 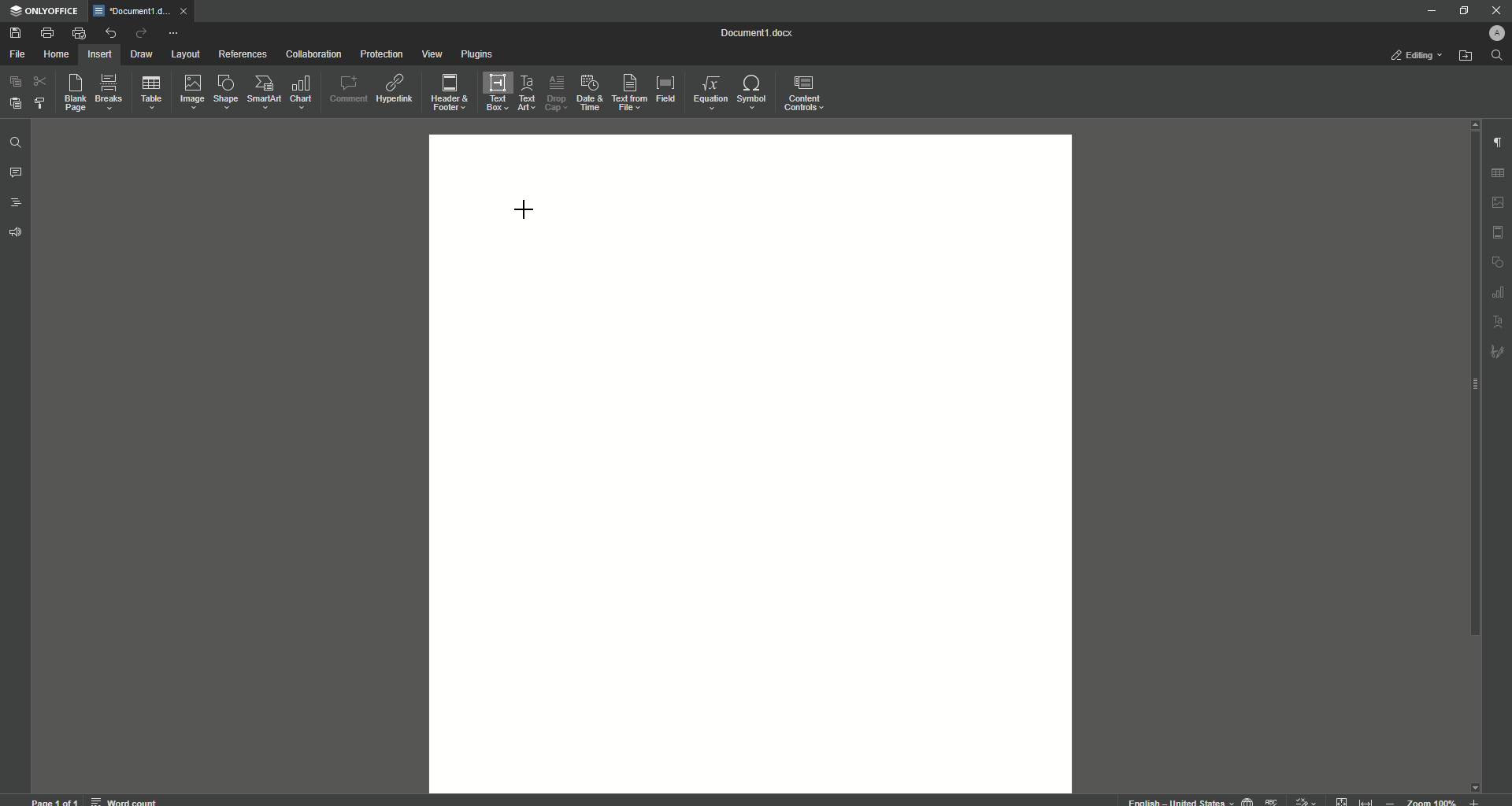 What do you see at coordinates (478, 55) in the screenshot?
I see `Plugins` at bounding box center [478, 55].